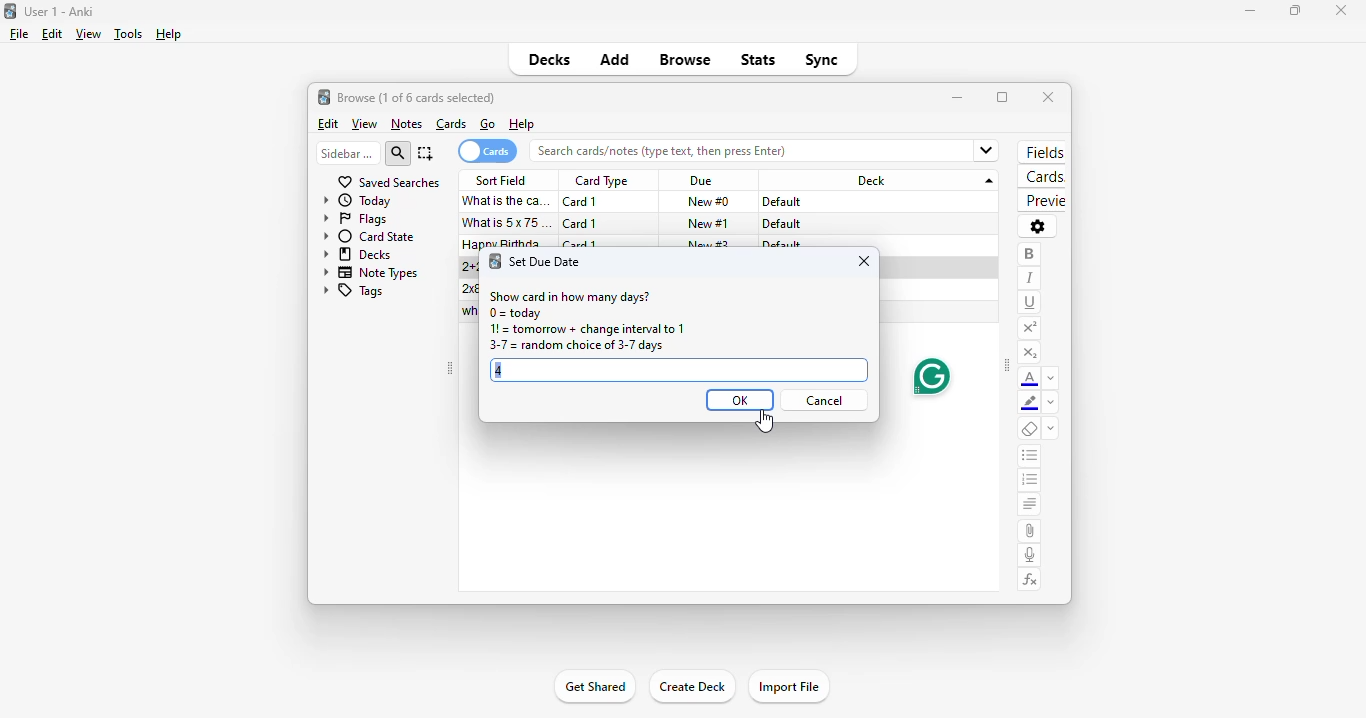  Describe the element at coordinates (581, 202) in the screenshot. I see `card 1` at that location.